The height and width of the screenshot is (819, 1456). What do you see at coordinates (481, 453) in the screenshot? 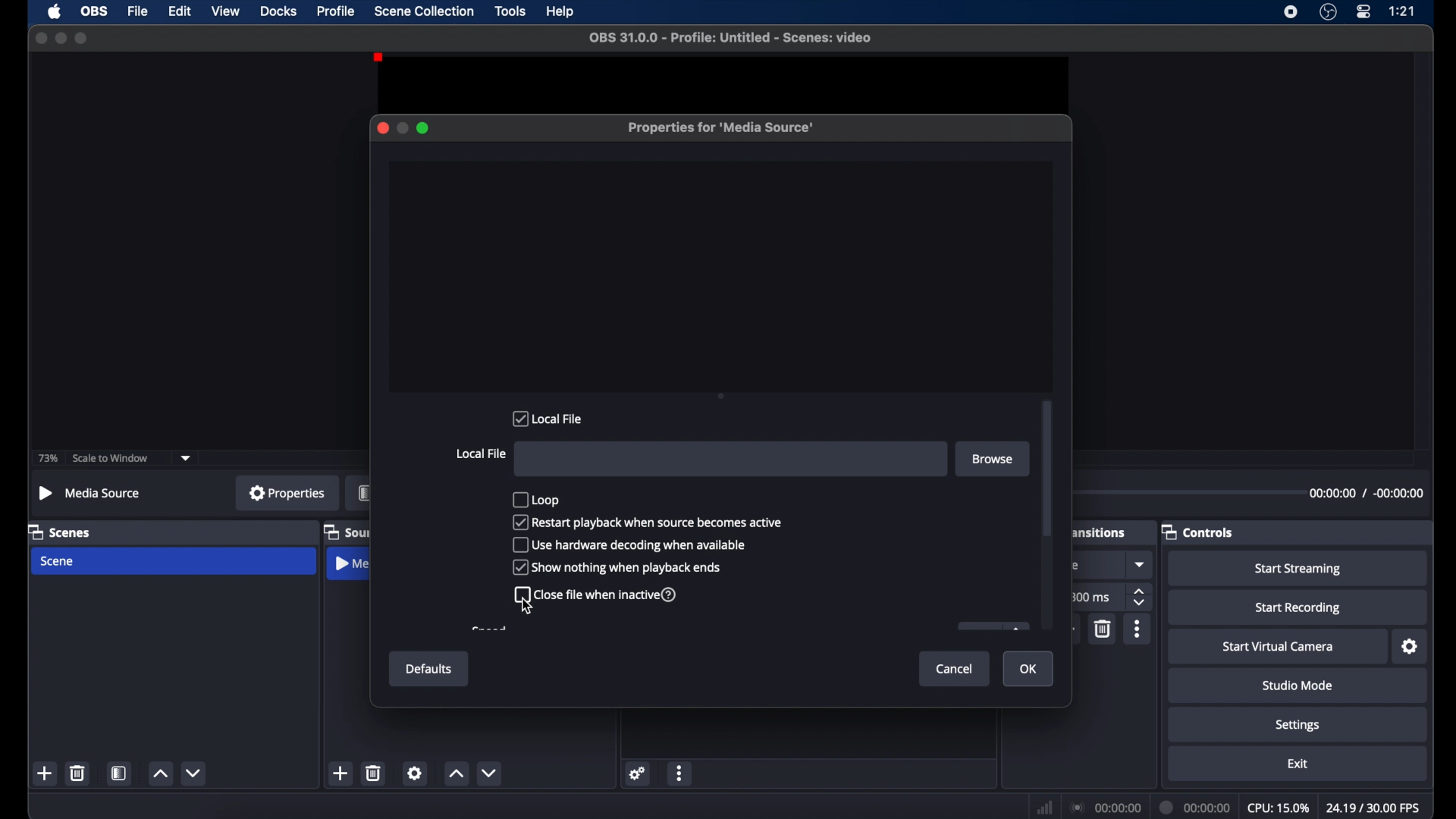
I see `local file` at bounding box center [481, 453].